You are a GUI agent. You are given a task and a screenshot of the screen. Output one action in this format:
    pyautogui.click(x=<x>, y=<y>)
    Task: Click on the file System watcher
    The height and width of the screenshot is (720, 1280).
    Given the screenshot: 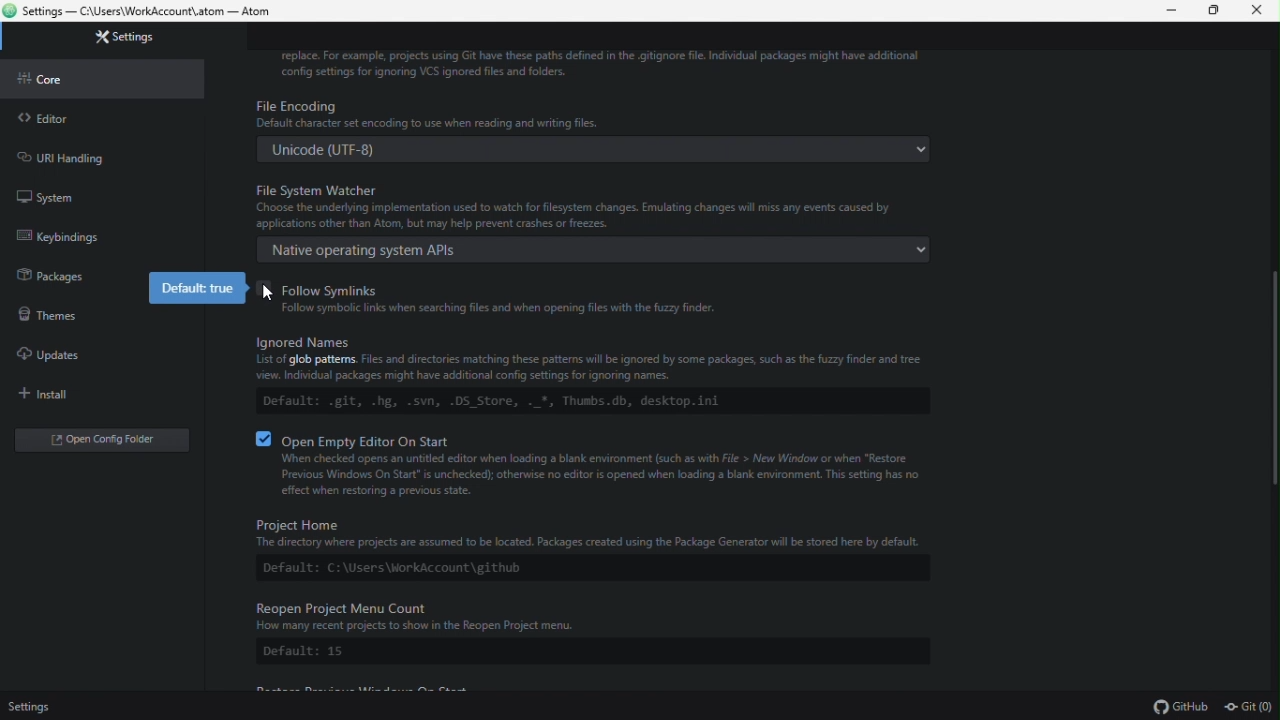 What is the action you would take?
    pyautogui.click(x=596, y=203)
    